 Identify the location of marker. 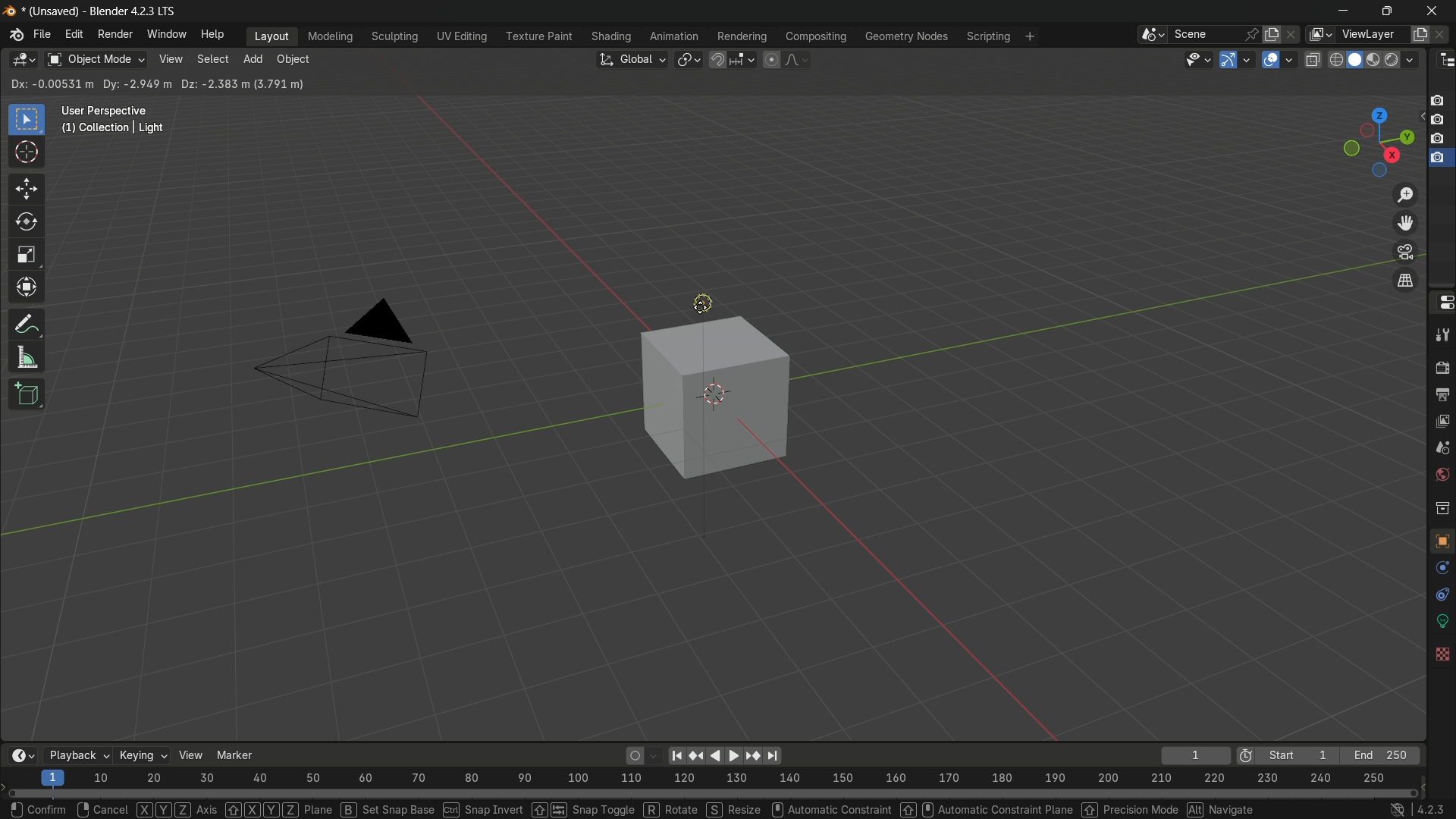
(235, 755).